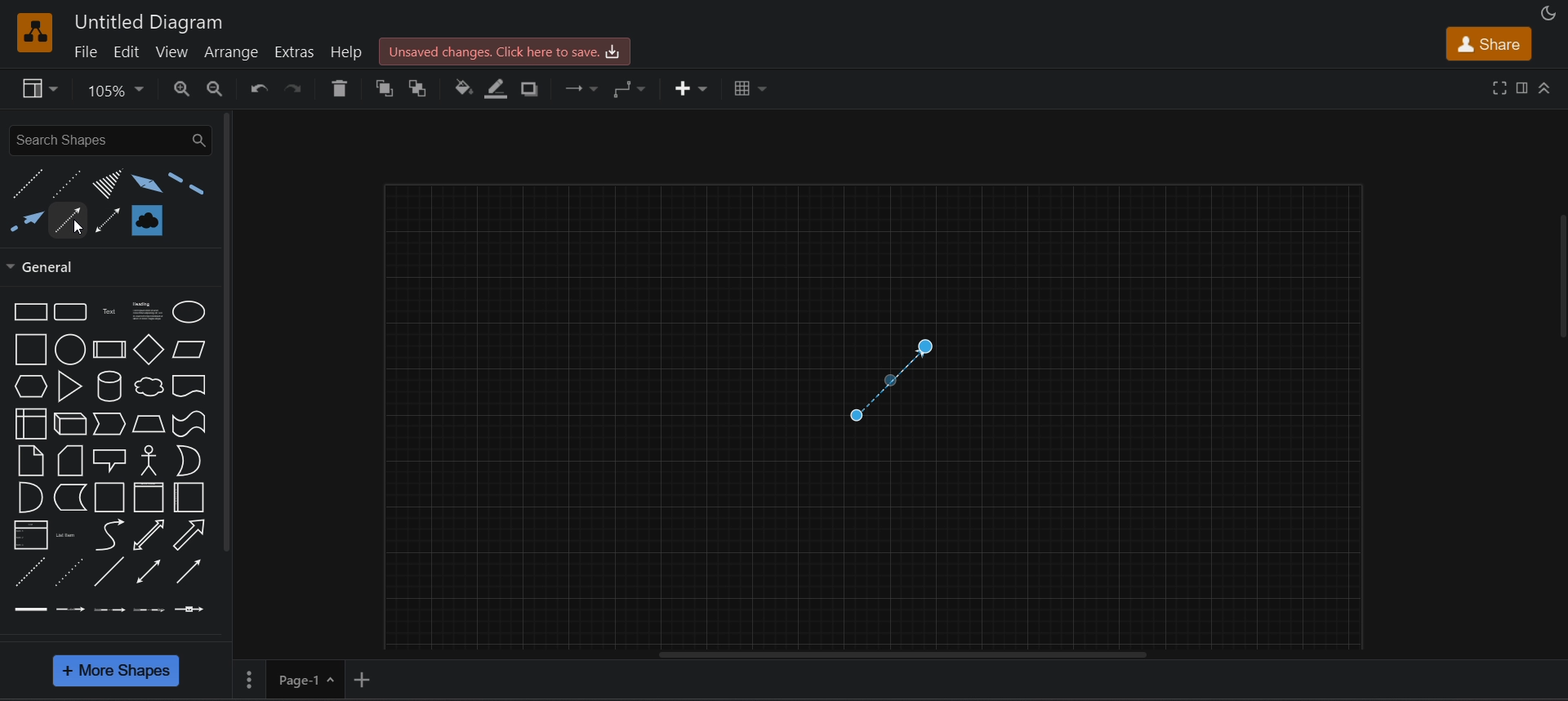 This screenshot has height=701, width=1568. Describe the element at coordinates (109, 311) in the screenshot. I see `text` at that location.